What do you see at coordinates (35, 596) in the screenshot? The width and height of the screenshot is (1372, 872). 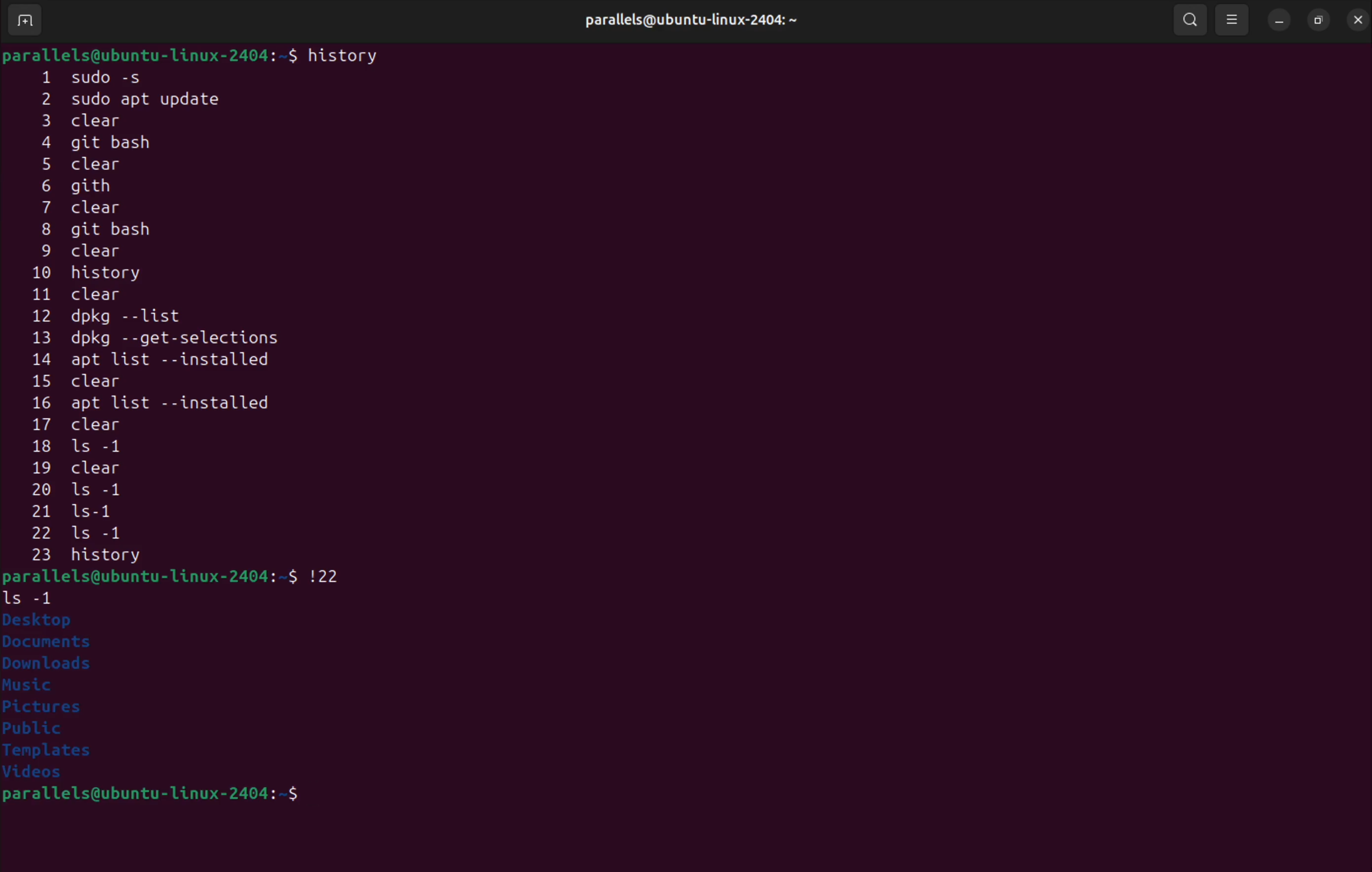 I see `ls -1` at bounding box center [35, 596].